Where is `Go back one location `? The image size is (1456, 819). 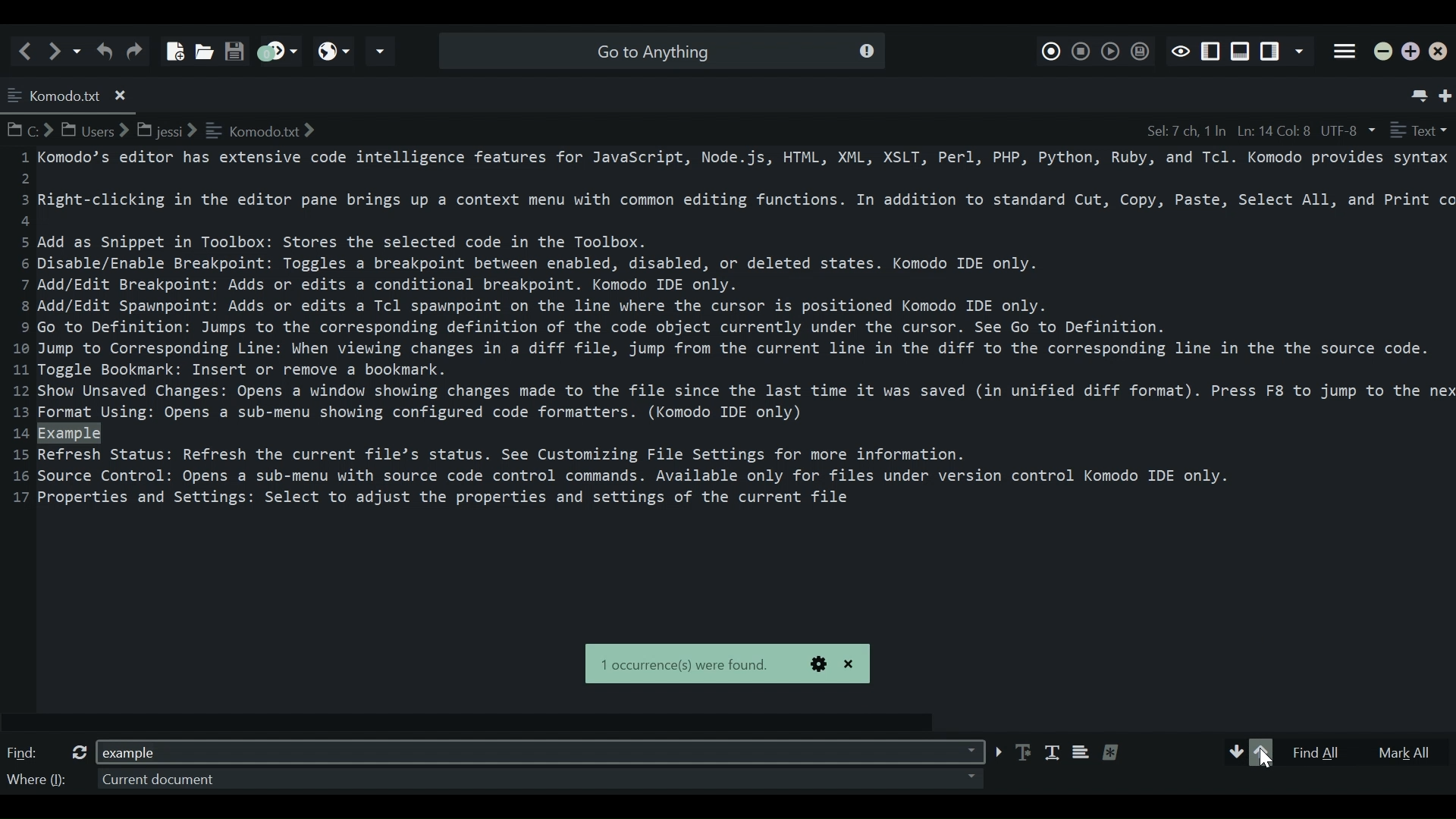
Go back one location  is located at coordinates (29, 50).